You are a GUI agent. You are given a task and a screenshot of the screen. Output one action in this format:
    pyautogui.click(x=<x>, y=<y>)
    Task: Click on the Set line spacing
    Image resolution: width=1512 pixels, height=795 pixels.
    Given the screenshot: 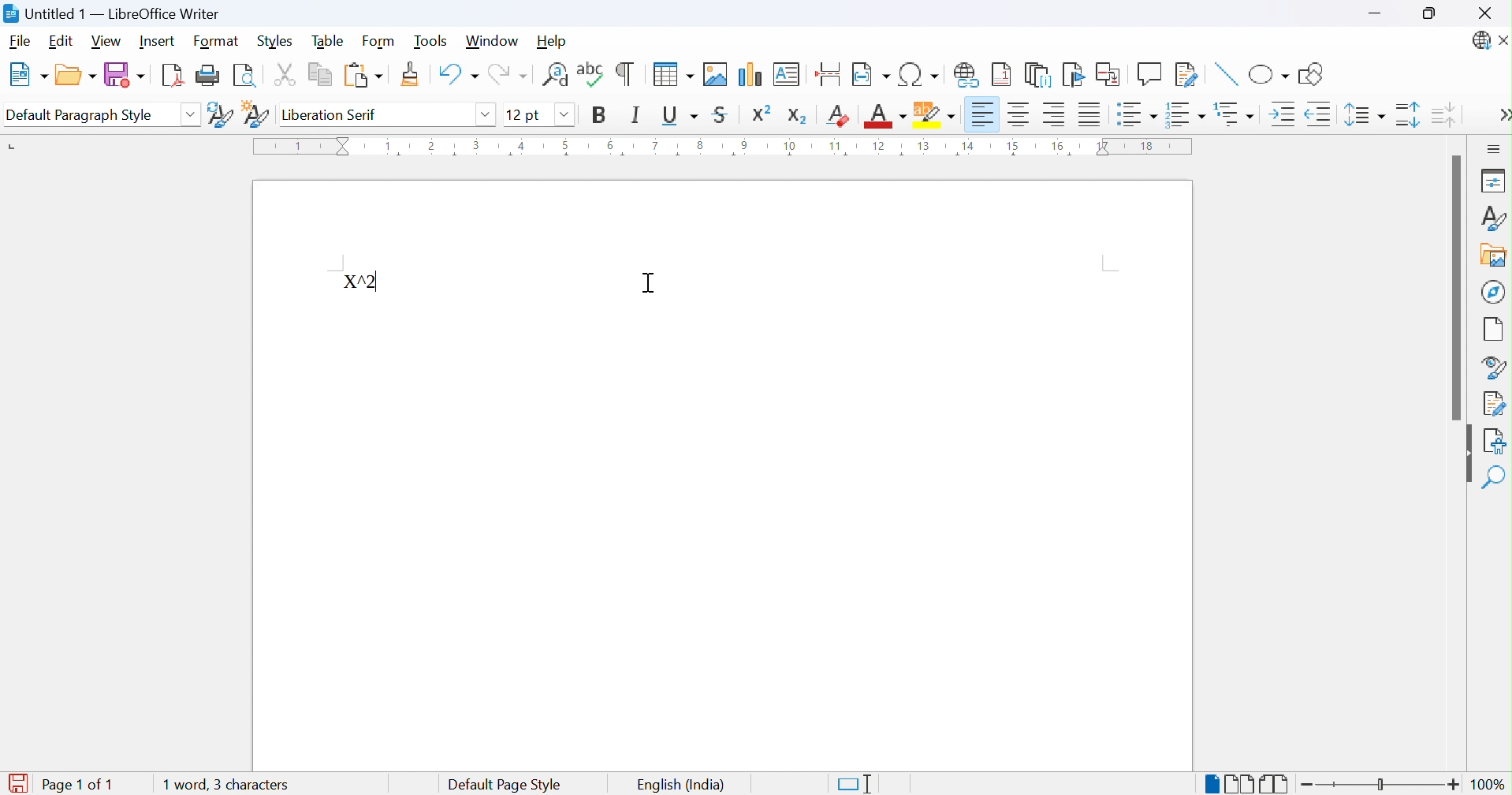 What is the action you would take?
    pyautogui.click(x=1365, y=114)
    